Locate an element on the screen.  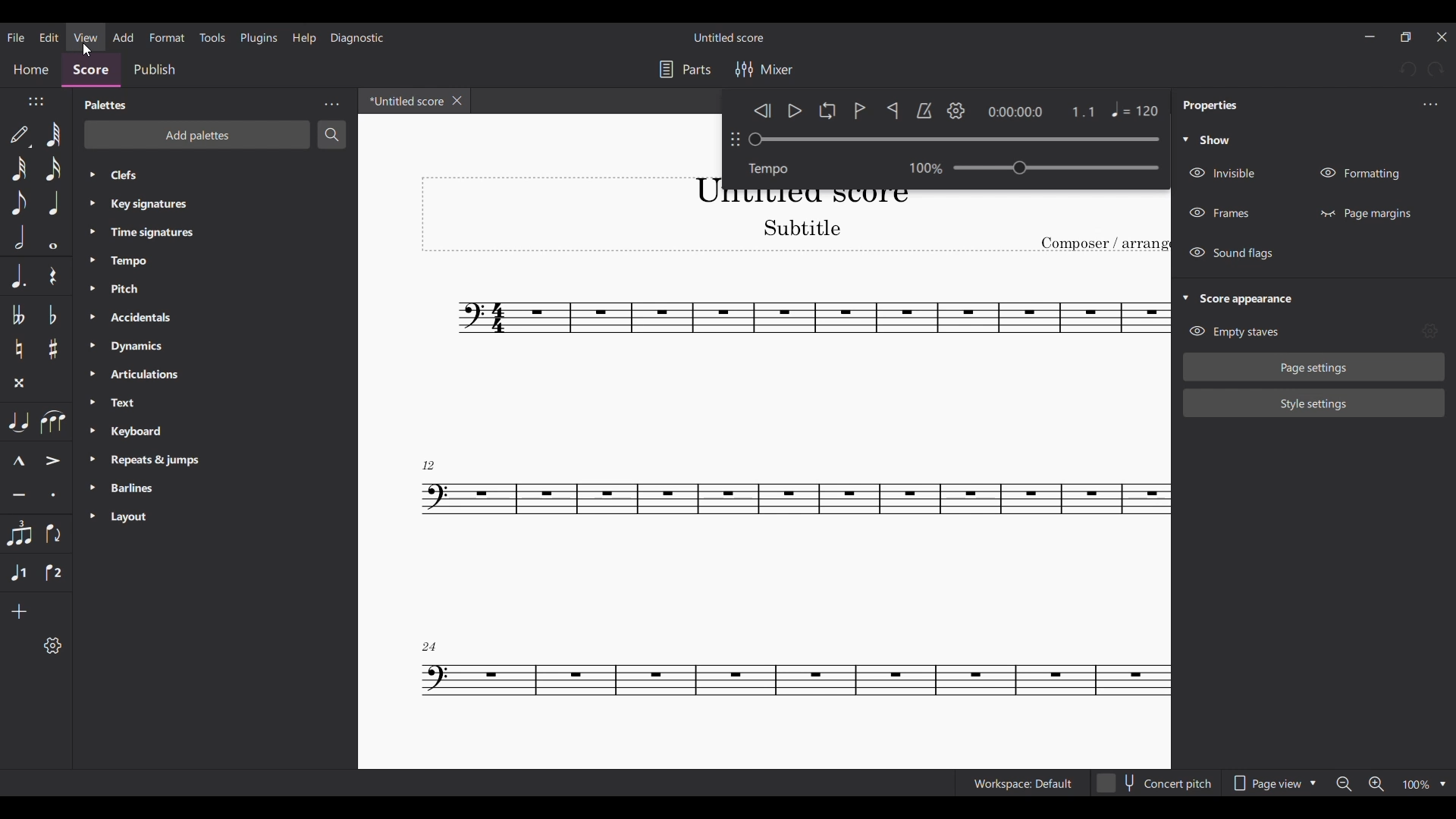
Composer / arrang is located at coordinates (1105, 244).